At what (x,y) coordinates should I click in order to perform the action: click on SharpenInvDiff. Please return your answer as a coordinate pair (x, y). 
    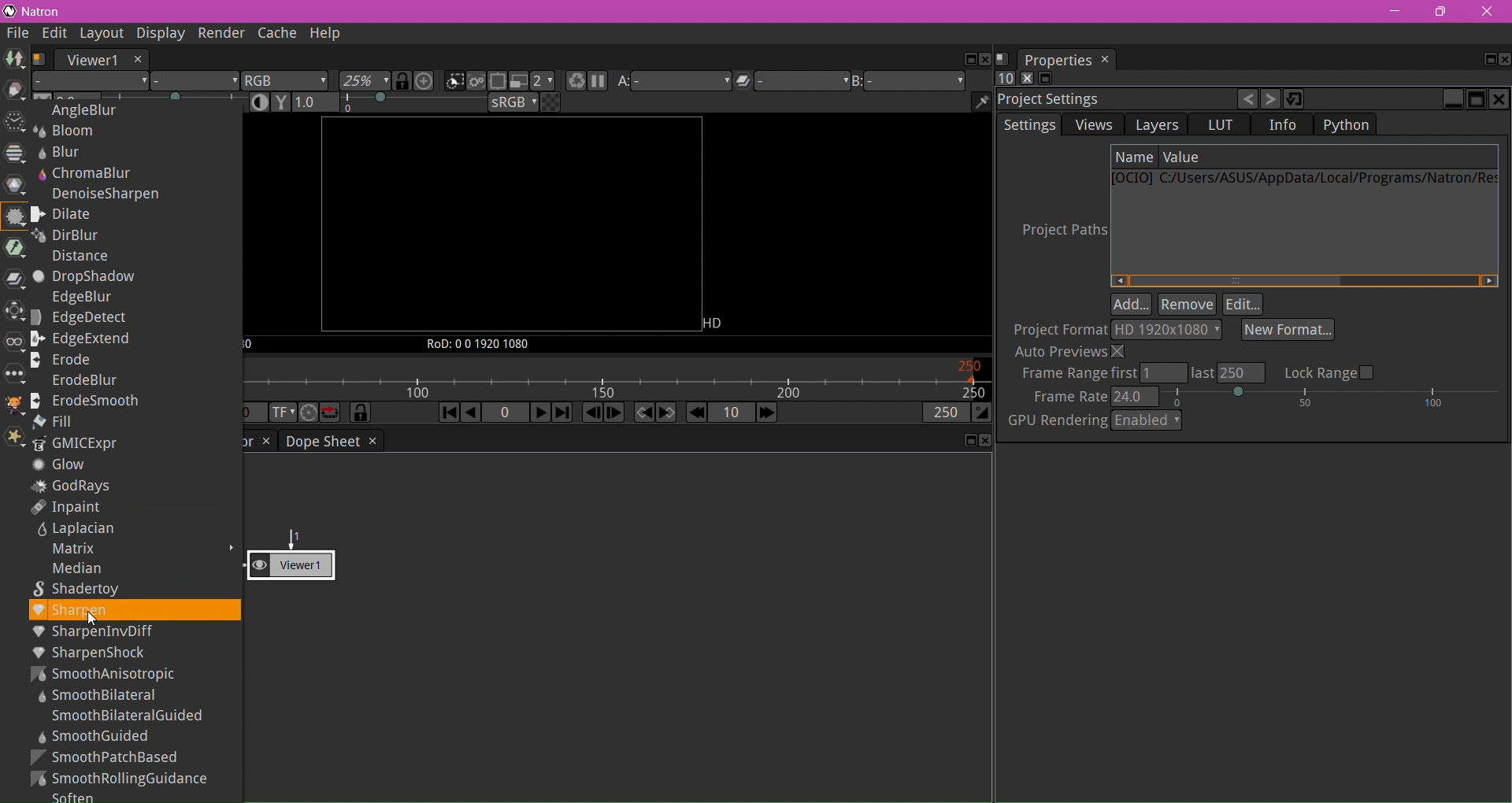
    Looking at the image, I should click on (134, 632).